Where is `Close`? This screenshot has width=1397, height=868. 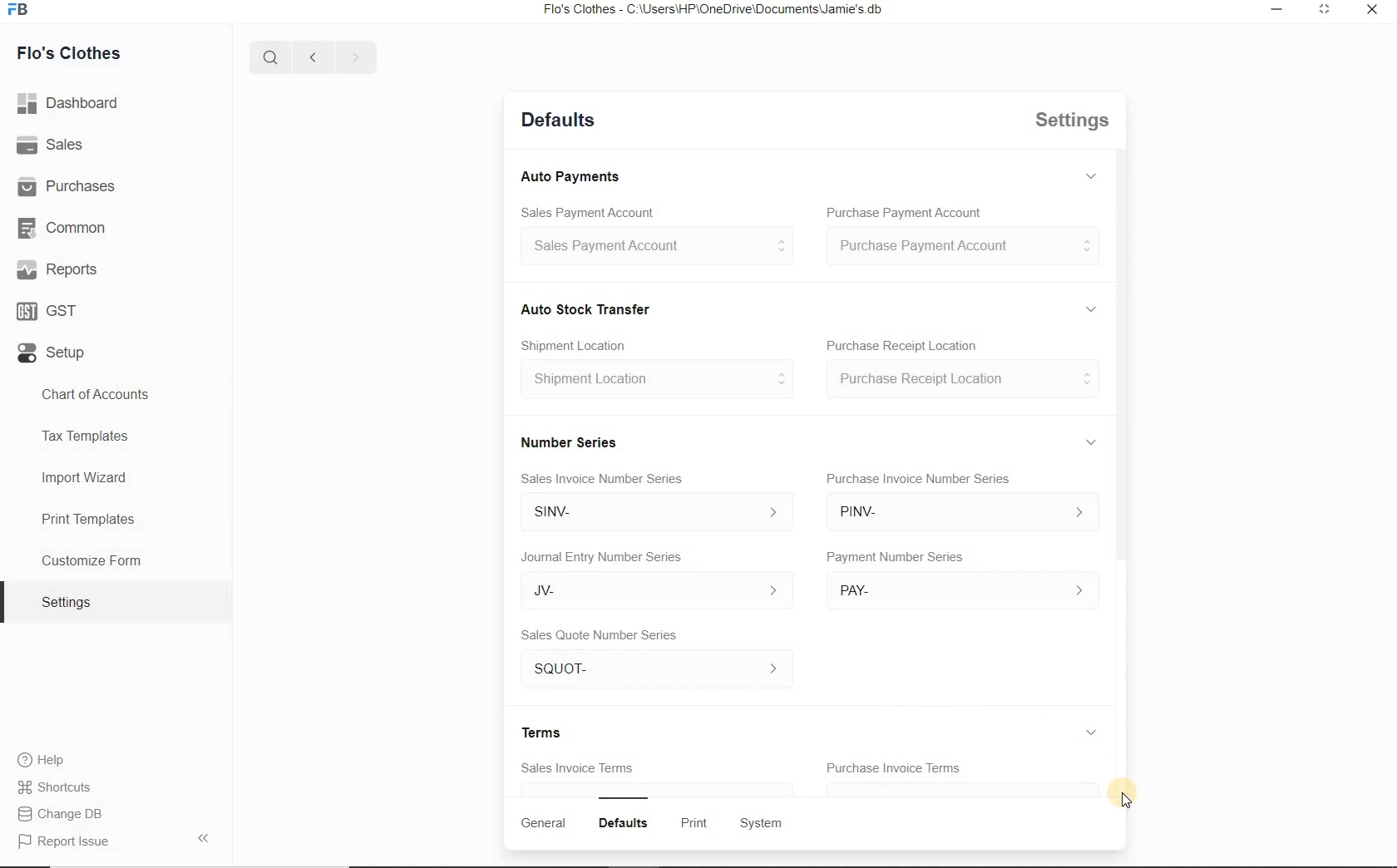
Close is located at coordinates (1372, 8).